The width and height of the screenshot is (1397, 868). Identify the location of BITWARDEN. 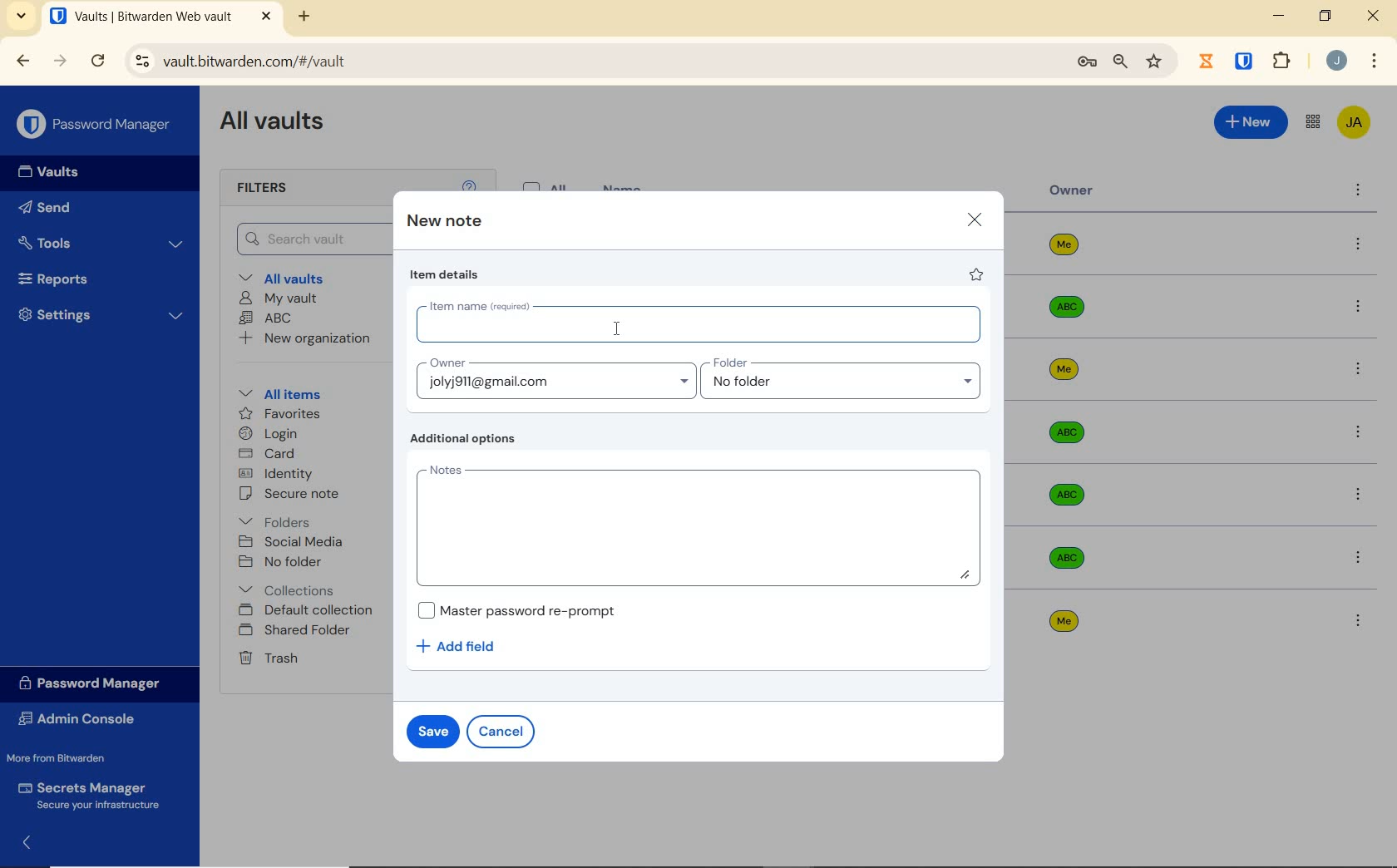
(1245, 62).